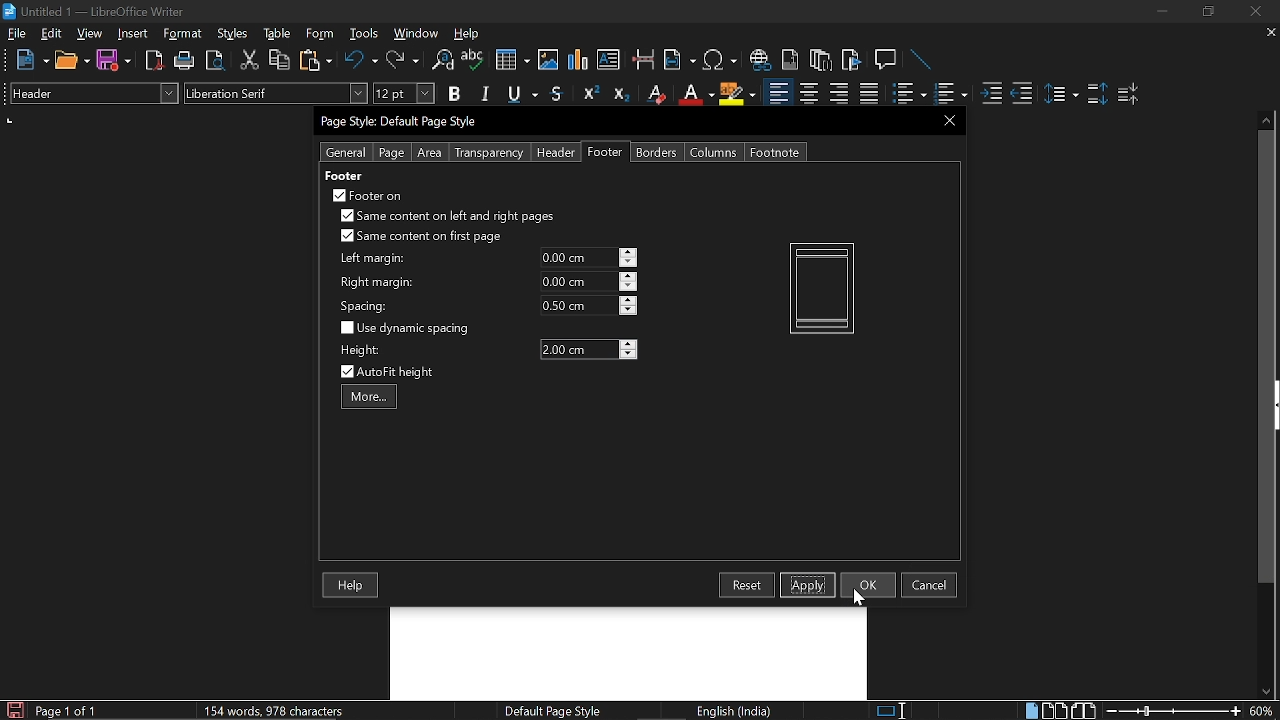 Image resolution: width=1280 pixels, height=720 pixels. What do you see at coordinates (852, 61) in the screenshot?
I see `Insert bibliography` at bounding box center [852, 61].